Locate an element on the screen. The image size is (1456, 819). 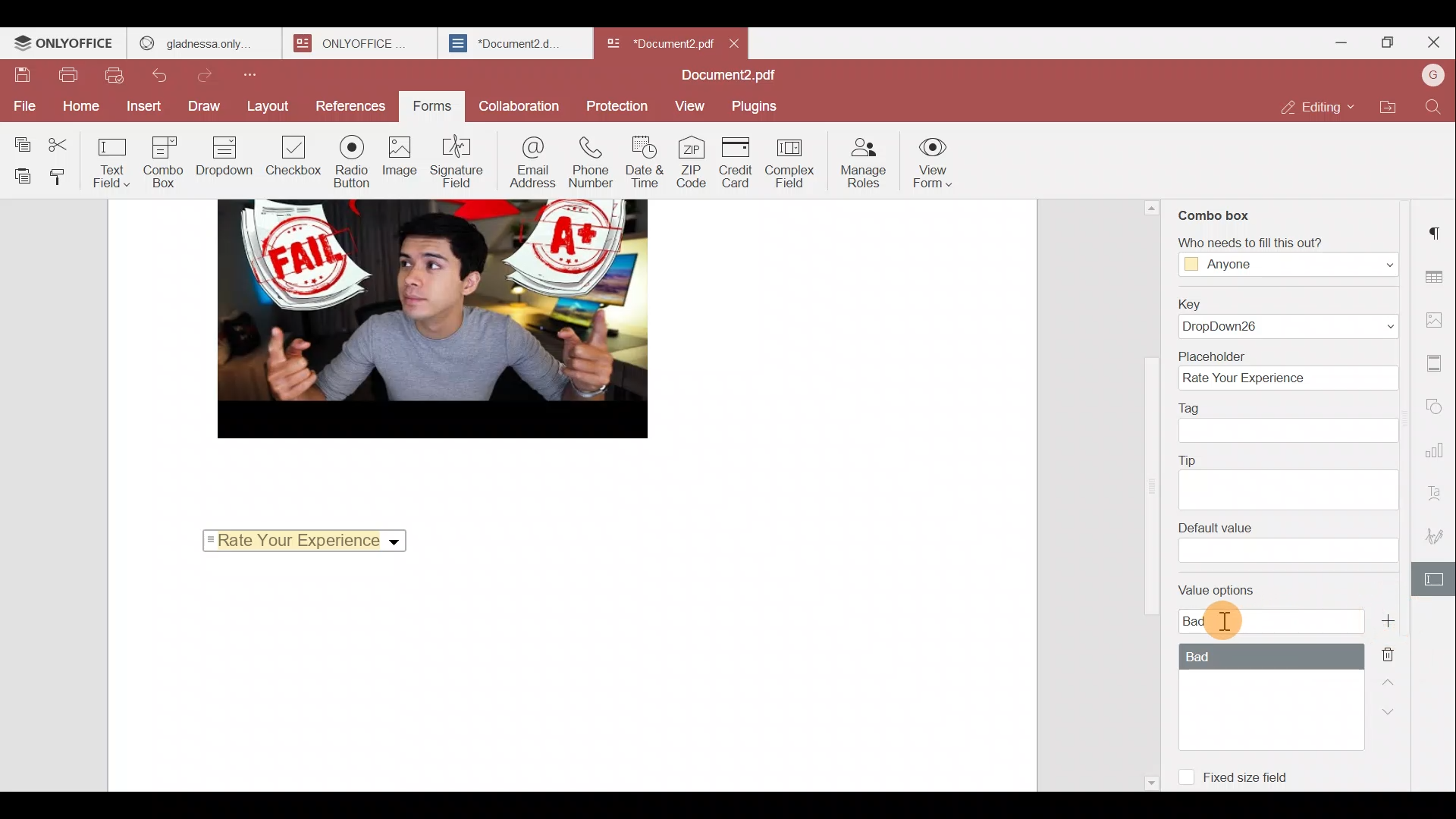
Image is located at coordinates (400, 159).